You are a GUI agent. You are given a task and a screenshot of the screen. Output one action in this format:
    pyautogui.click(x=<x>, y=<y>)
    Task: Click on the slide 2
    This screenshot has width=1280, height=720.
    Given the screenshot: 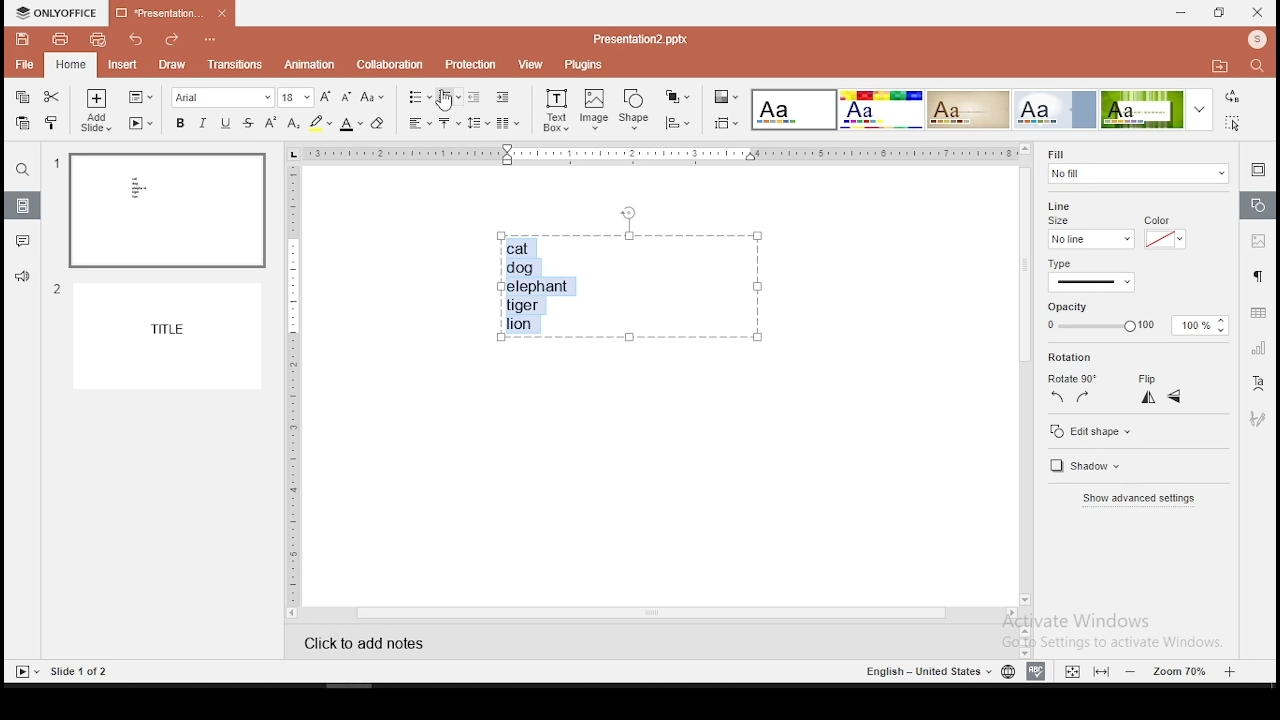 What is the action you would take?
    pyautogui.click(x=156, y=335)
    